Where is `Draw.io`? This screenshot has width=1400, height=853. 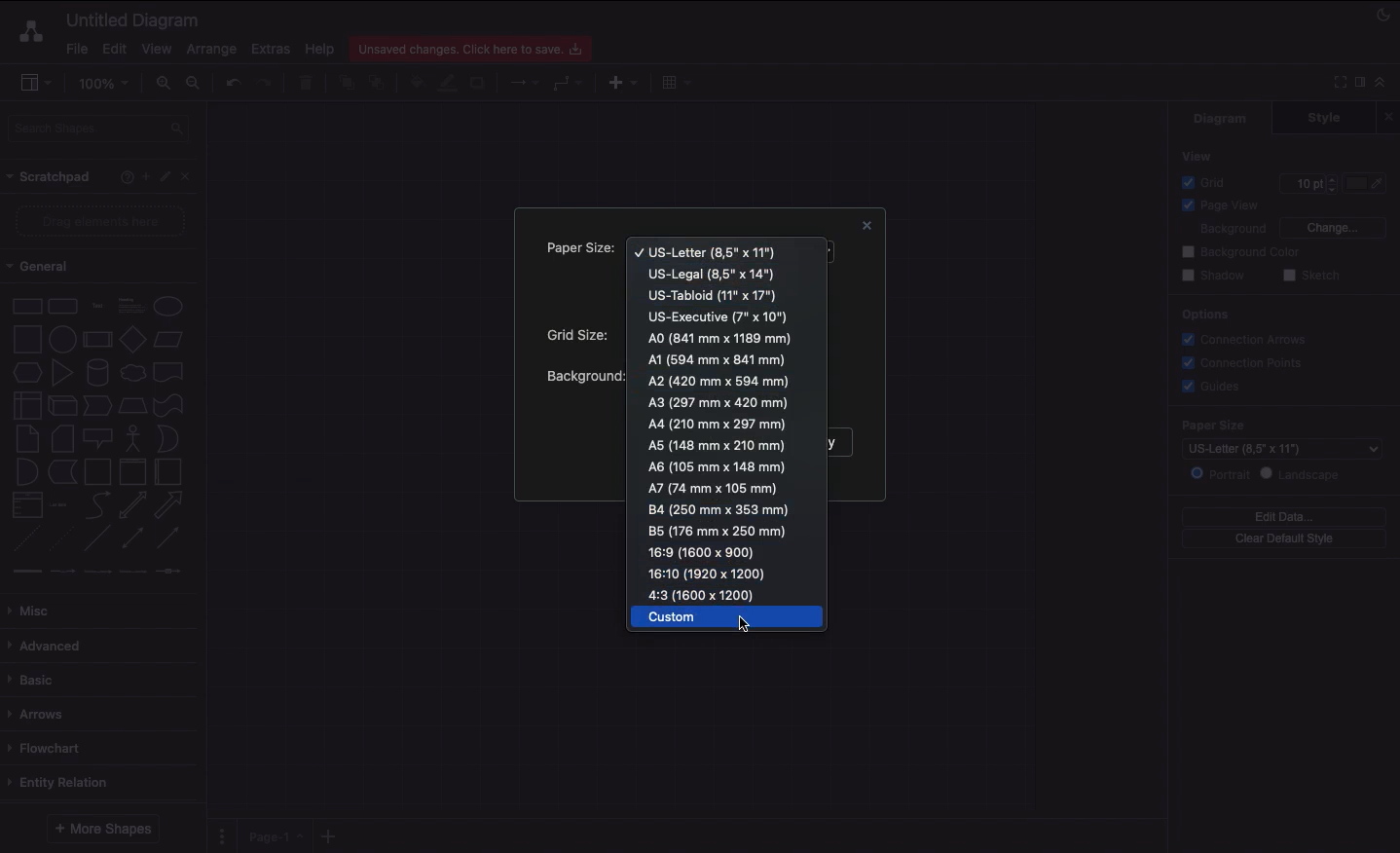
Draw.io is located at coordinates (27, 31).